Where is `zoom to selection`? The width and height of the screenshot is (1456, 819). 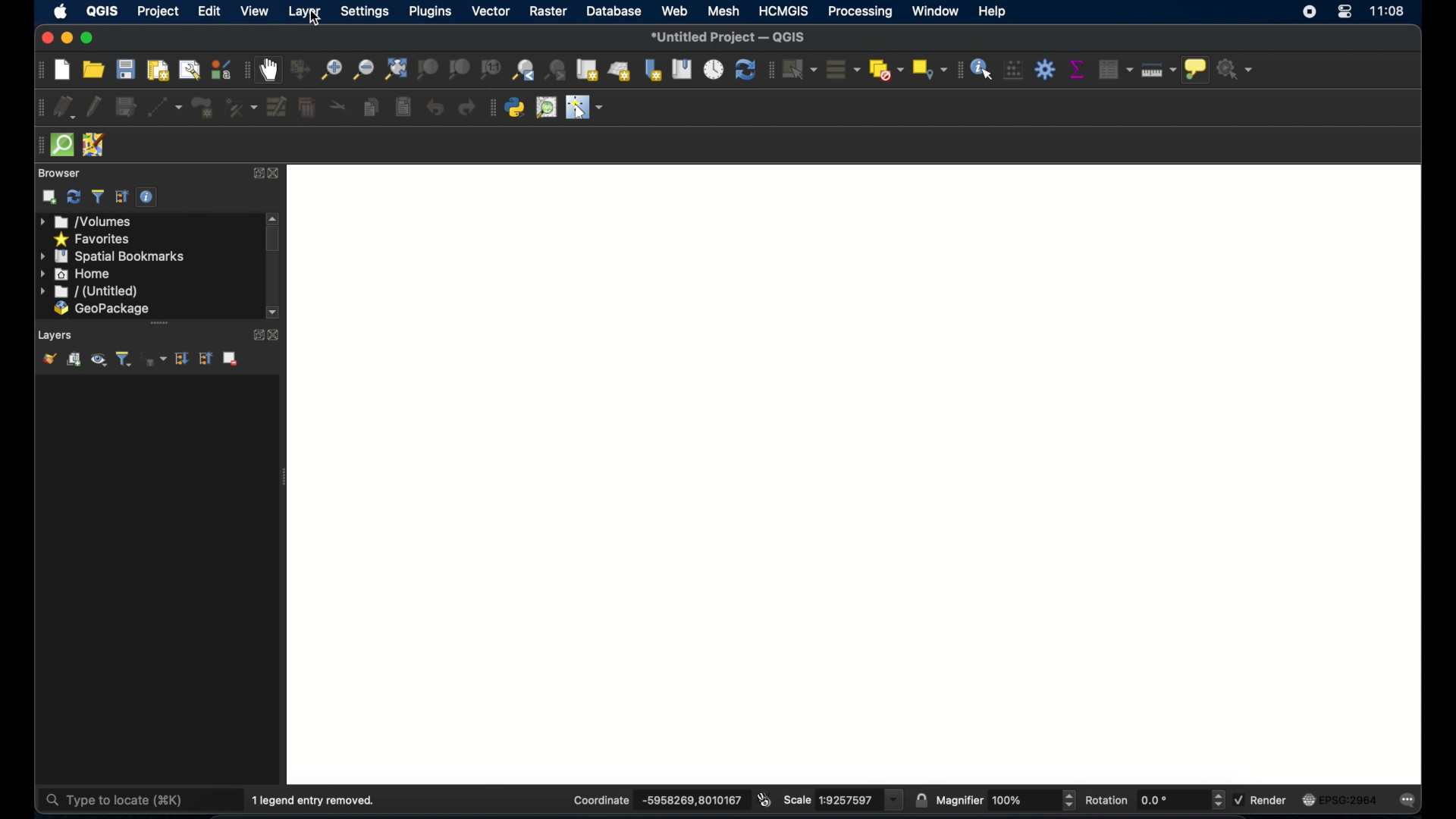 zoom to selection is located at coordinates (427, 69).